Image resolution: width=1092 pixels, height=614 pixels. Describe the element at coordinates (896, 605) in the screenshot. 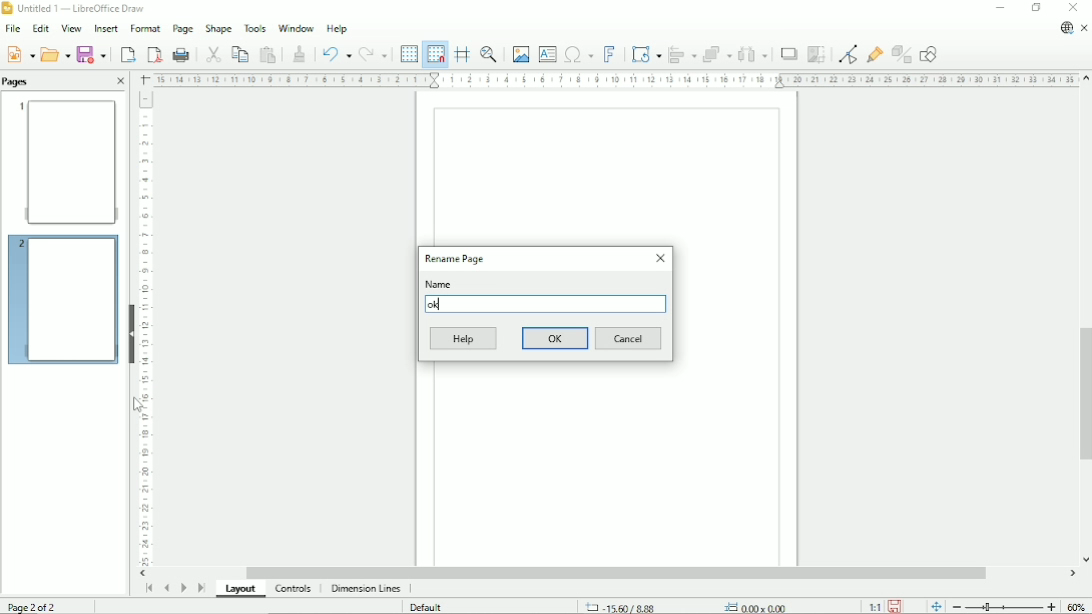

I see `Save` at that location.